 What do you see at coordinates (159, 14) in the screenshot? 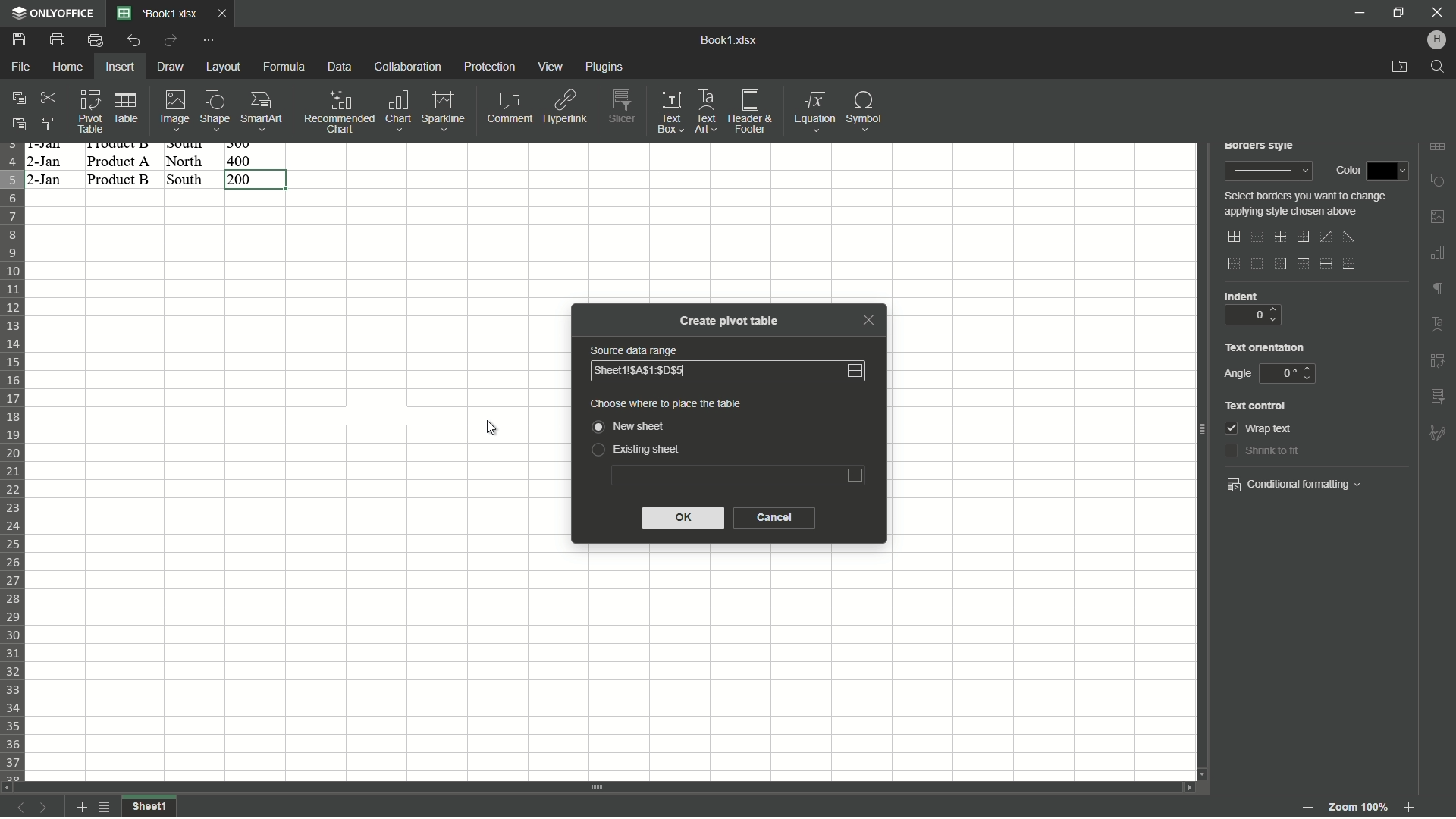
I see `File name ` at bounding box center [159, 14].